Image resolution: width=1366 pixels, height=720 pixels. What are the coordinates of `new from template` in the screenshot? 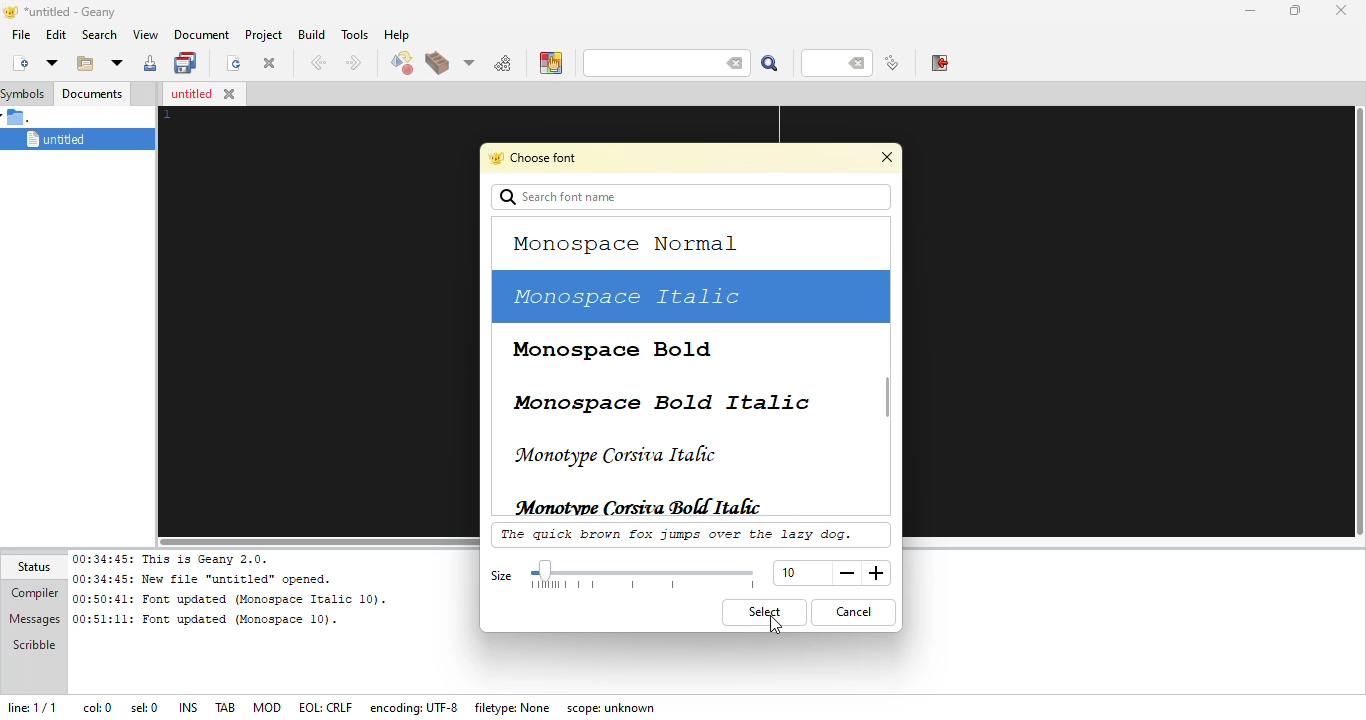 It's located at (51, 62).